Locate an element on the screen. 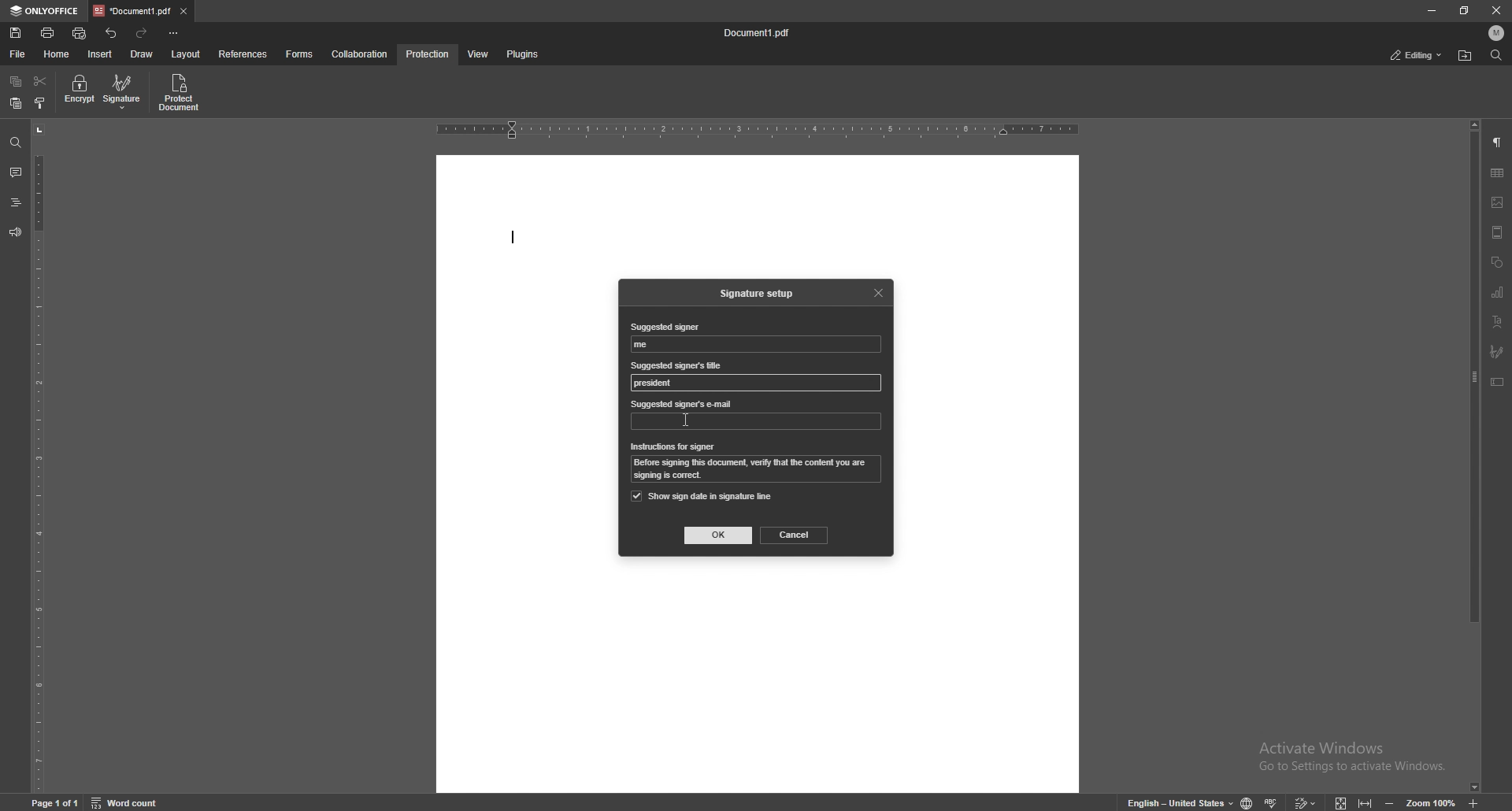  tab is located at coordinates (132, 10).